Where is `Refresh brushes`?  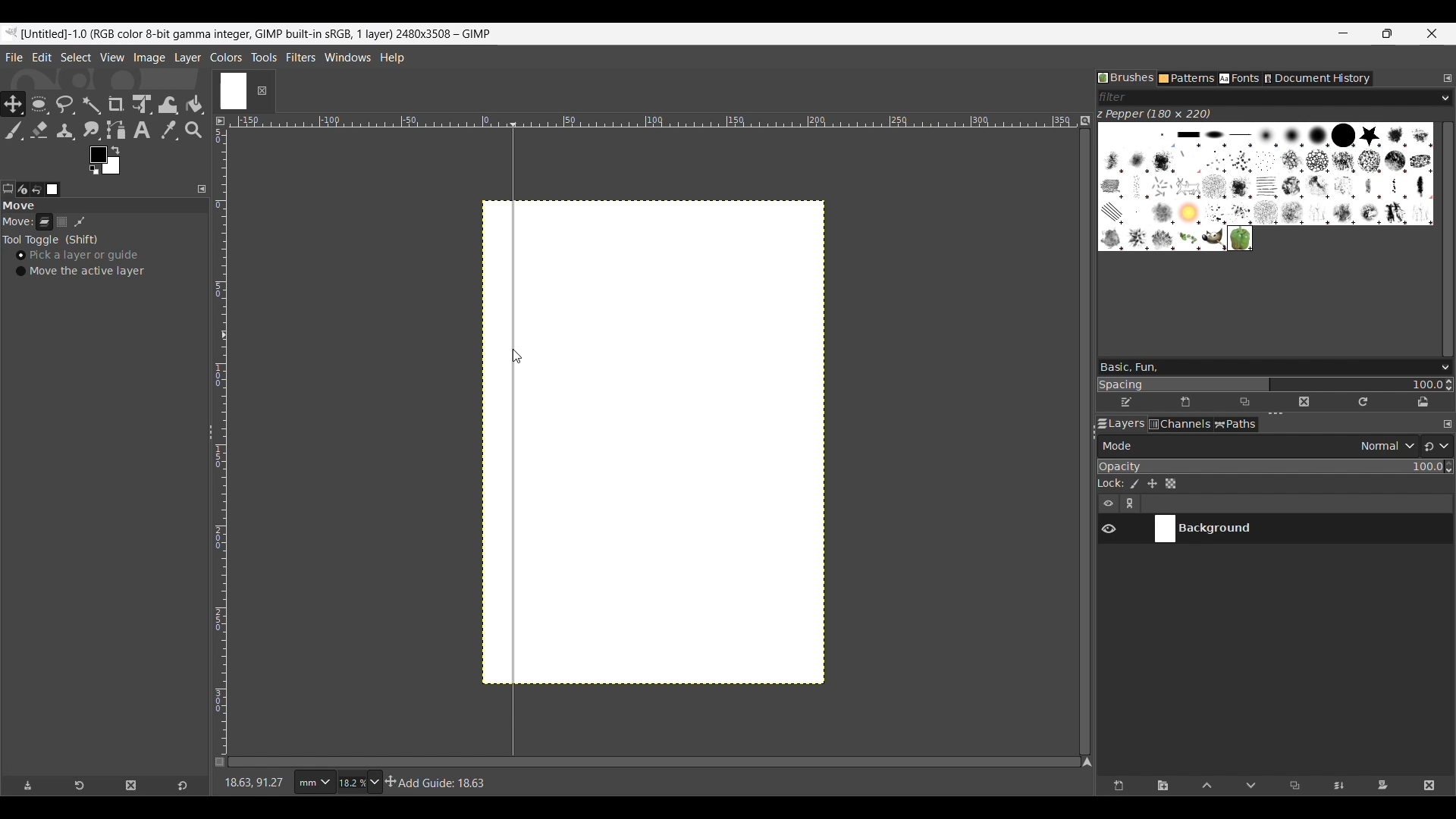 Refresh brushes is located at coordinates (1363, 403).